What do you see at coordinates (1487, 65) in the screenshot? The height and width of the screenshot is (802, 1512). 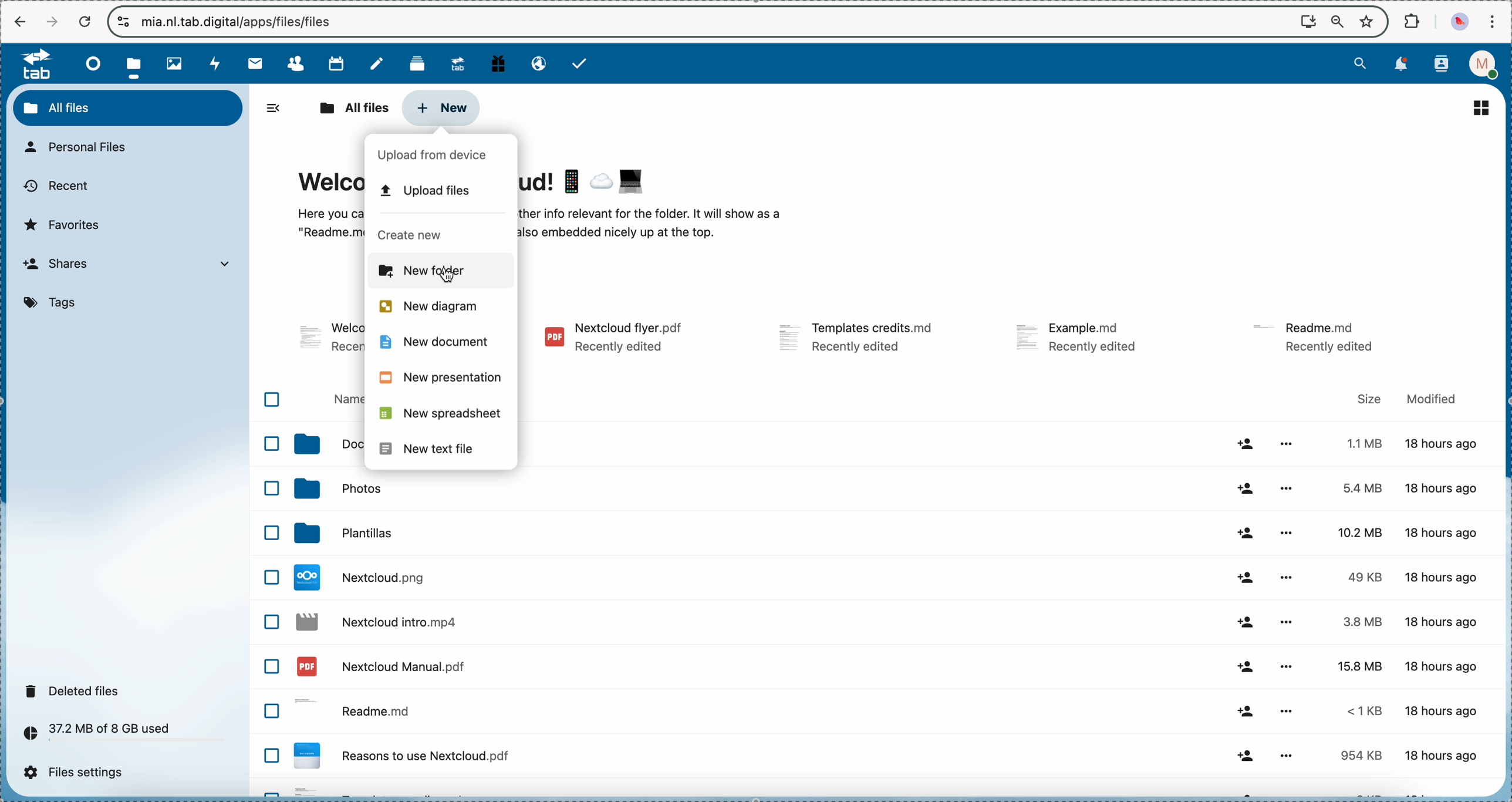 I see `profile` at bounding box center [1487, 65].